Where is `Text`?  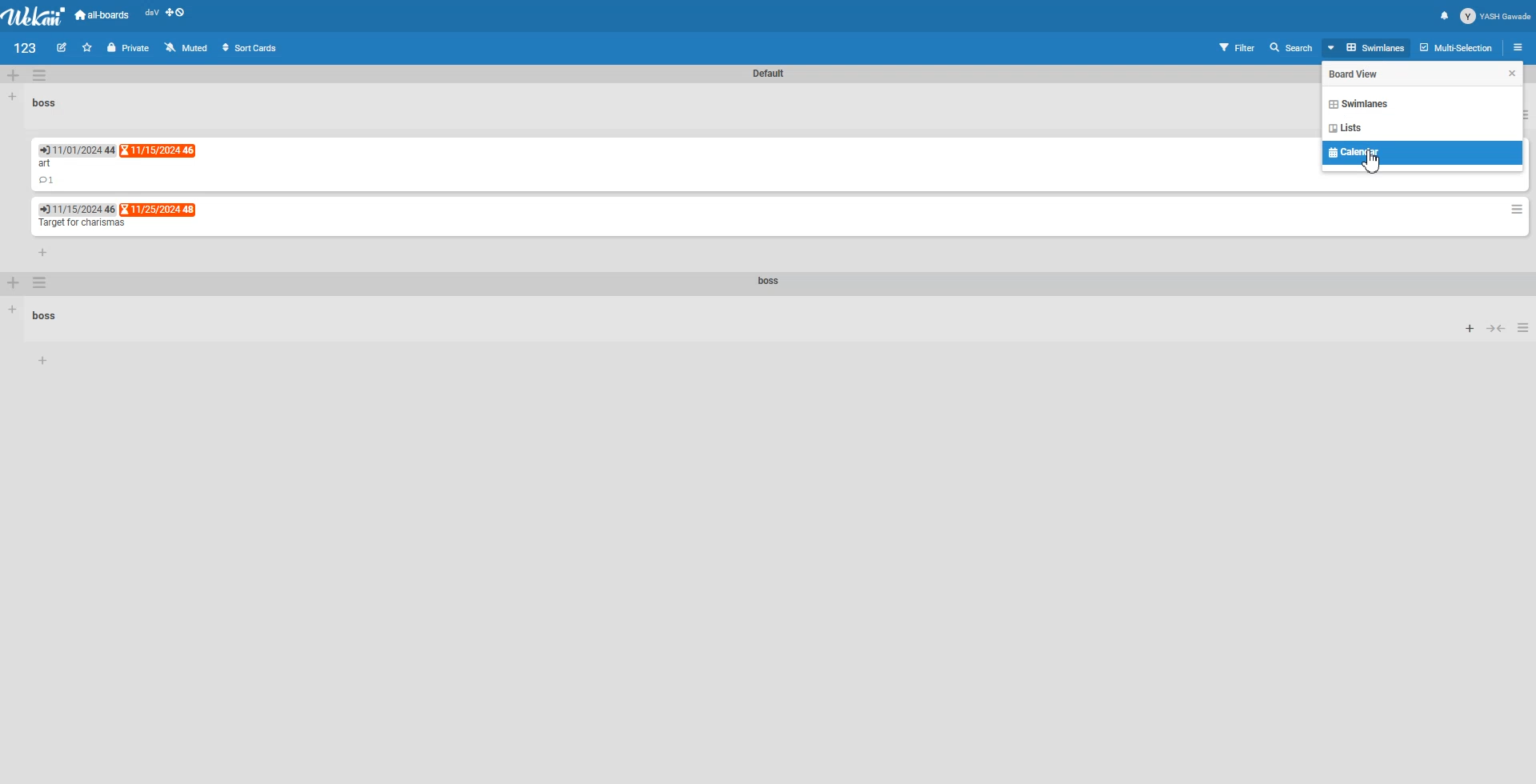 Text is located at coordinates (82, 223).